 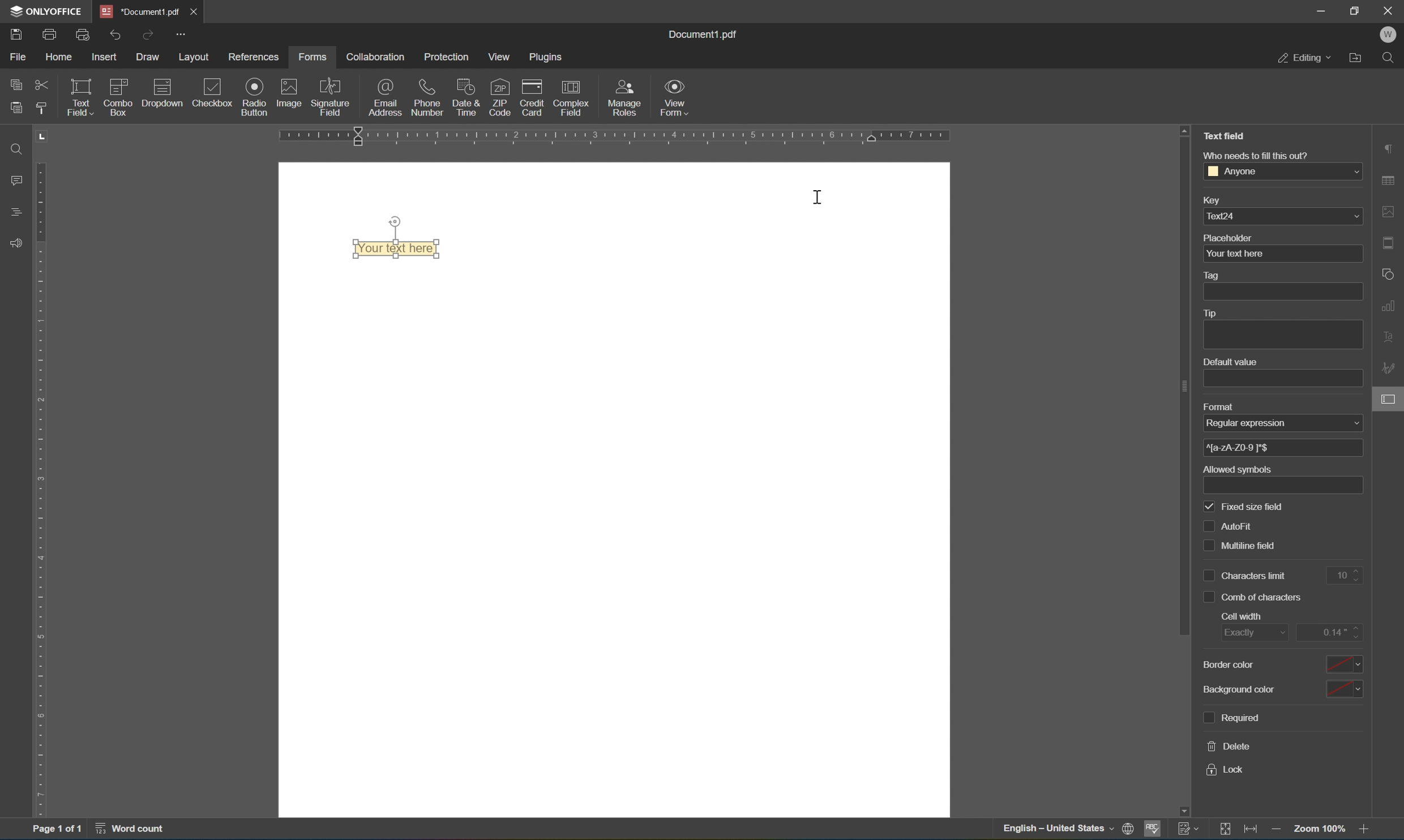 What do you see at coordinates (1320, 10) in the screenshot?
I see `minimize` at bounding box center [1320, 10].